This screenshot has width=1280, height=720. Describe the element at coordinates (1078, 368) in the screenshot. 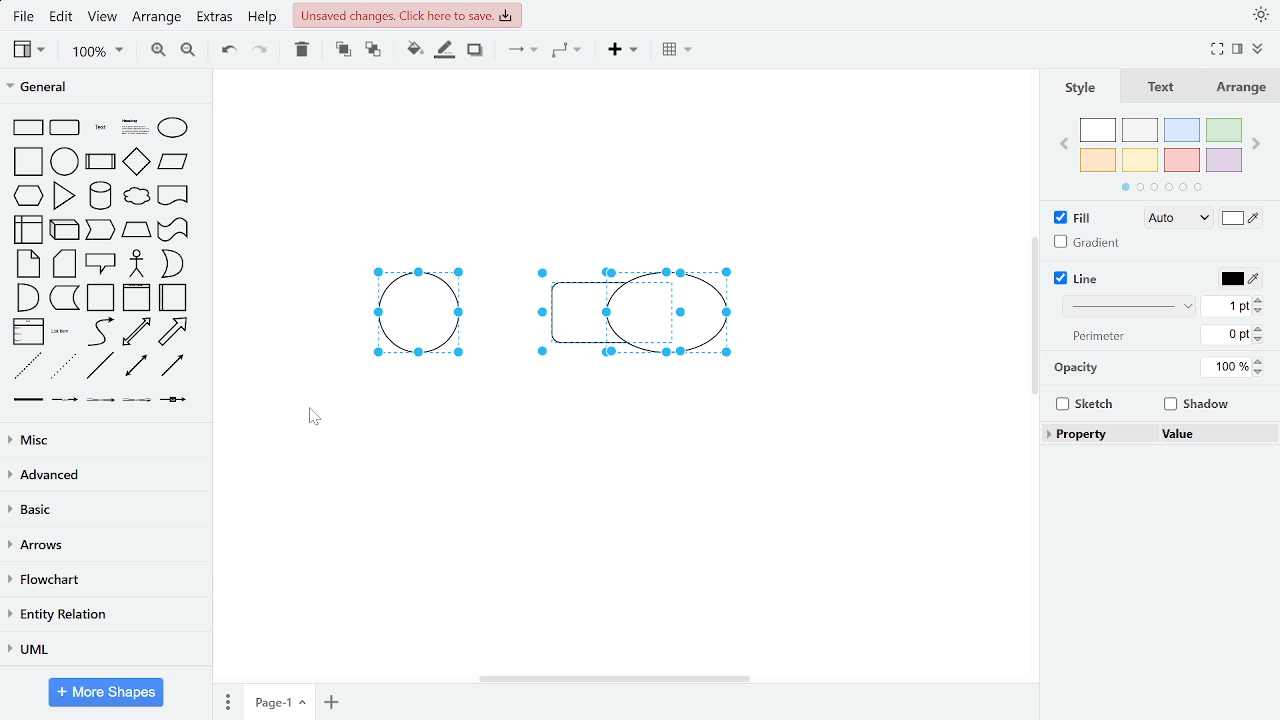

I see `opacity` at that location.